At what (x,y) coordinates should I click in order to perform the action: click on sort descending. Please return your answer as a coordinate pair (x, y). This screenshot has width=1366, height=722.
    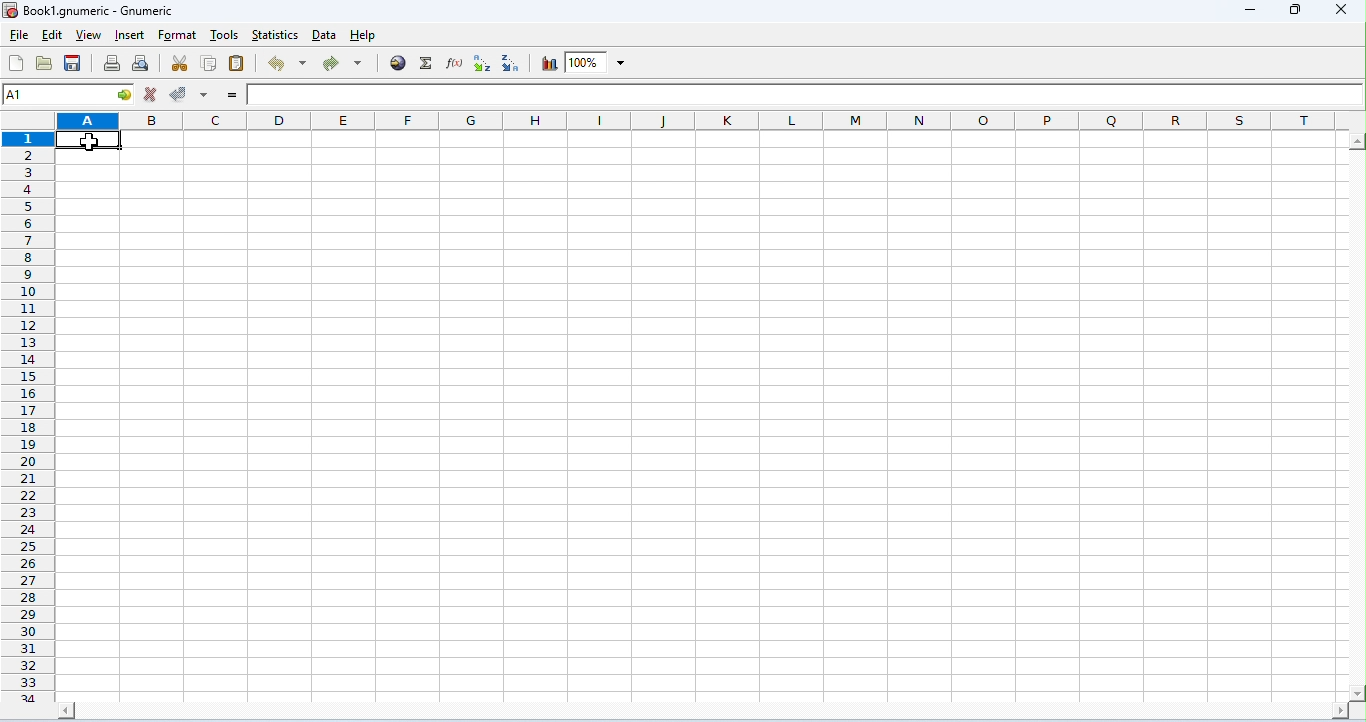
    Looking at the image, I should click on (511, 63).